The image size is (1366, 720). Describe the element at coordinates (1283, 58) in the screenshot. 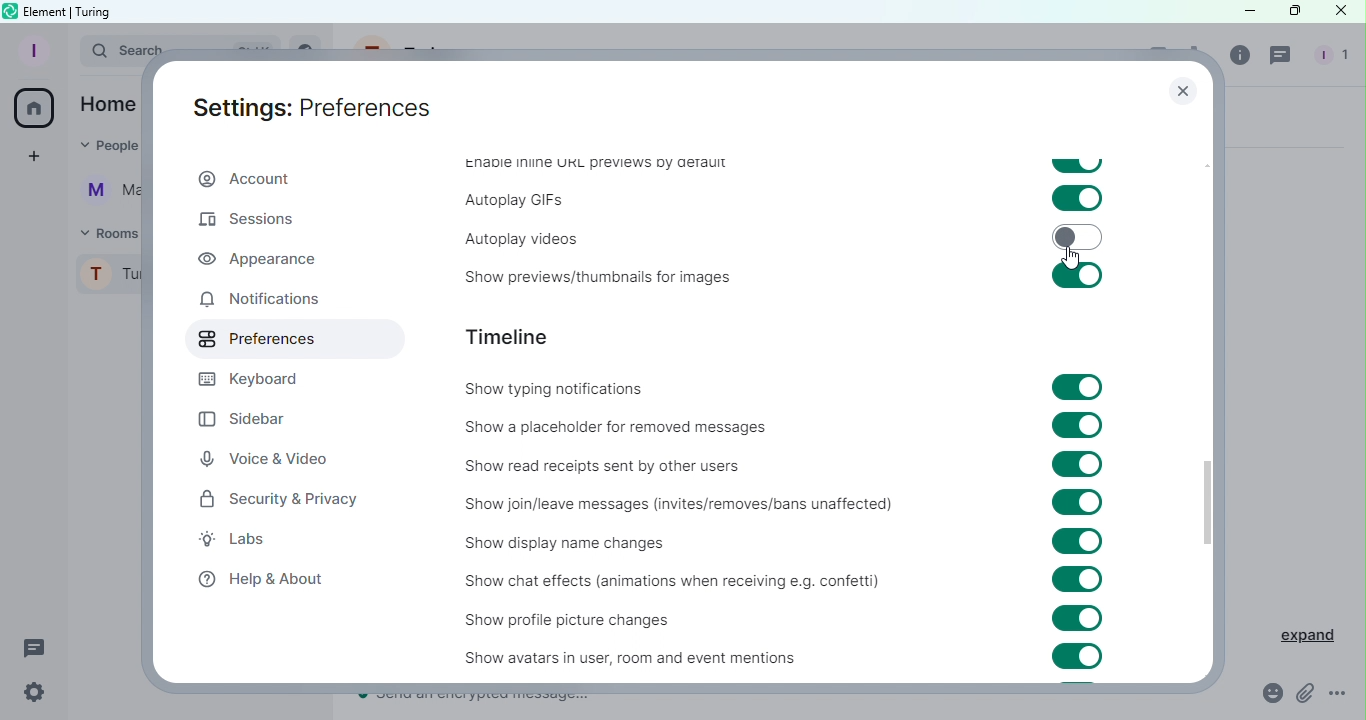

I see `Threads` at that location.